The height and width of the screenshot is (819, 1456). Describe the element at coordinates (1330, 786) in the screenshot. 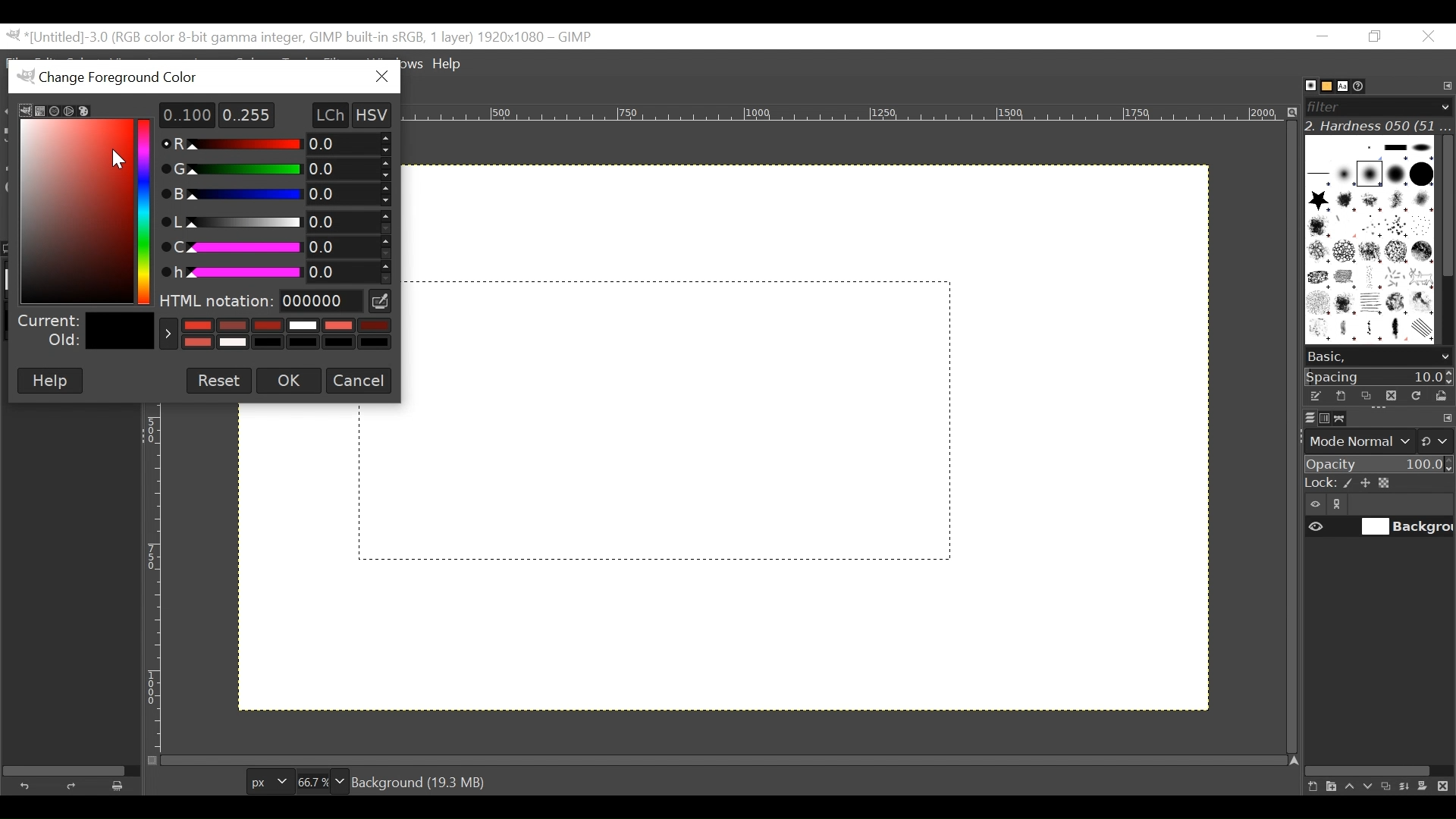

I see `Create a new layer` at that location.